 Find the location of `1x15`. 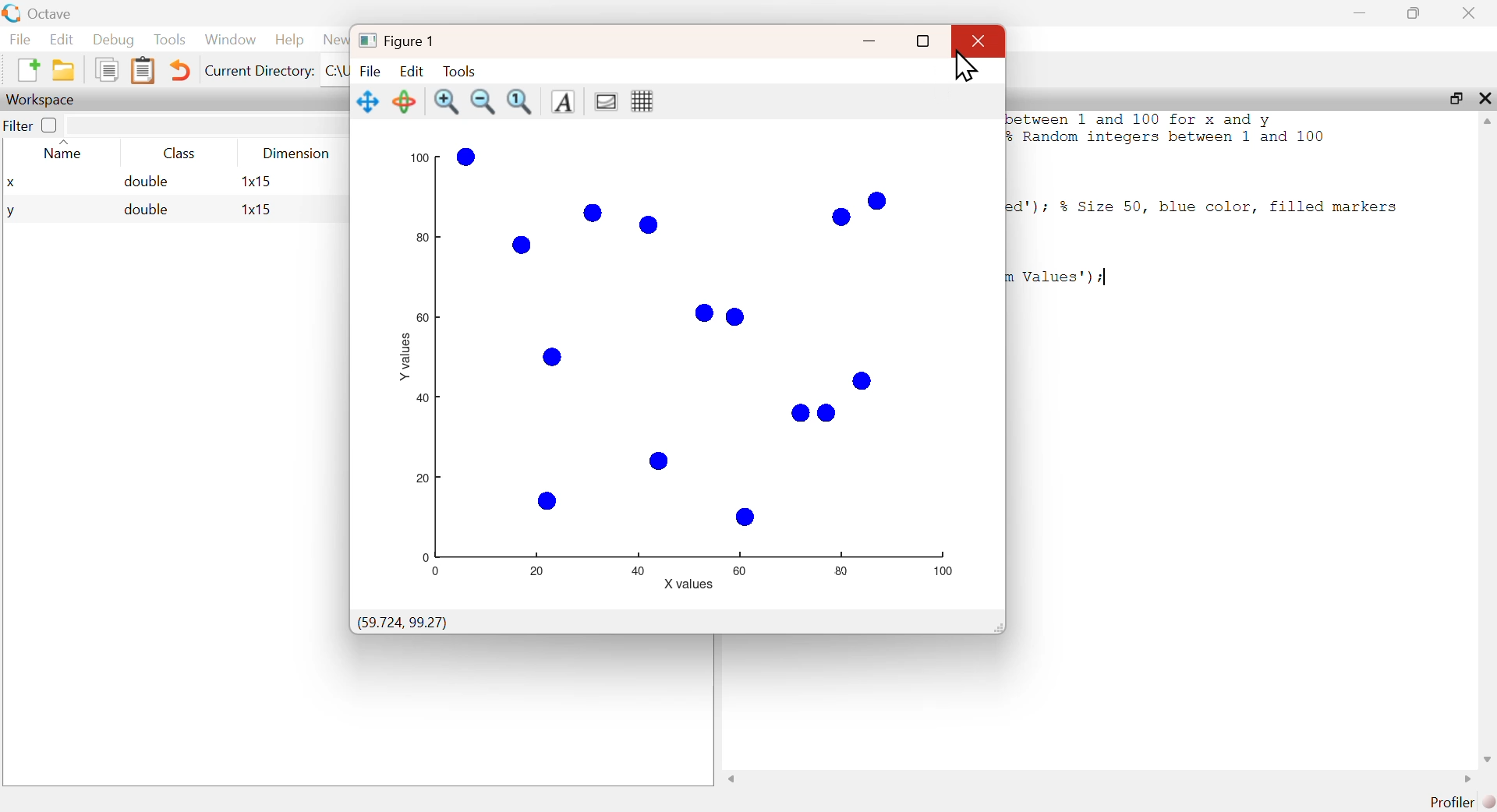

1x15 is located at coordinates (257, 210).